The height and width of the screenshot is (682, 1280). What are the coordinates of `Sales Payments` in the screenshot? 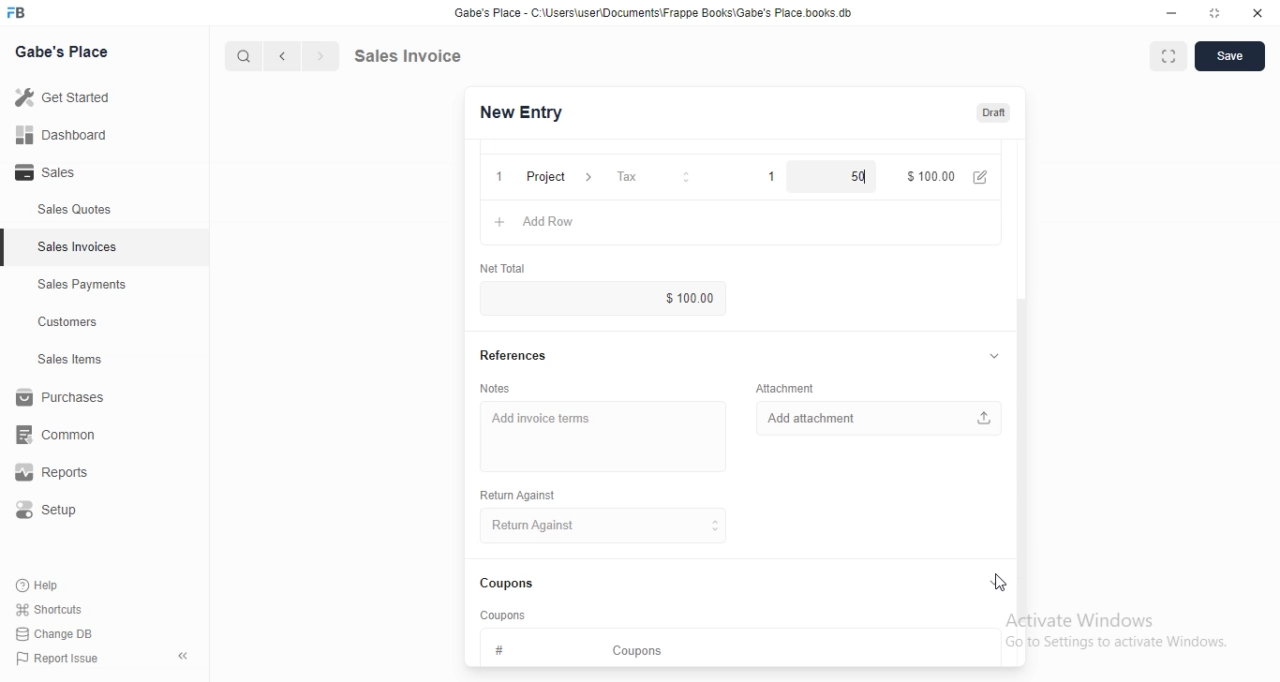 It's located at (77, 285).